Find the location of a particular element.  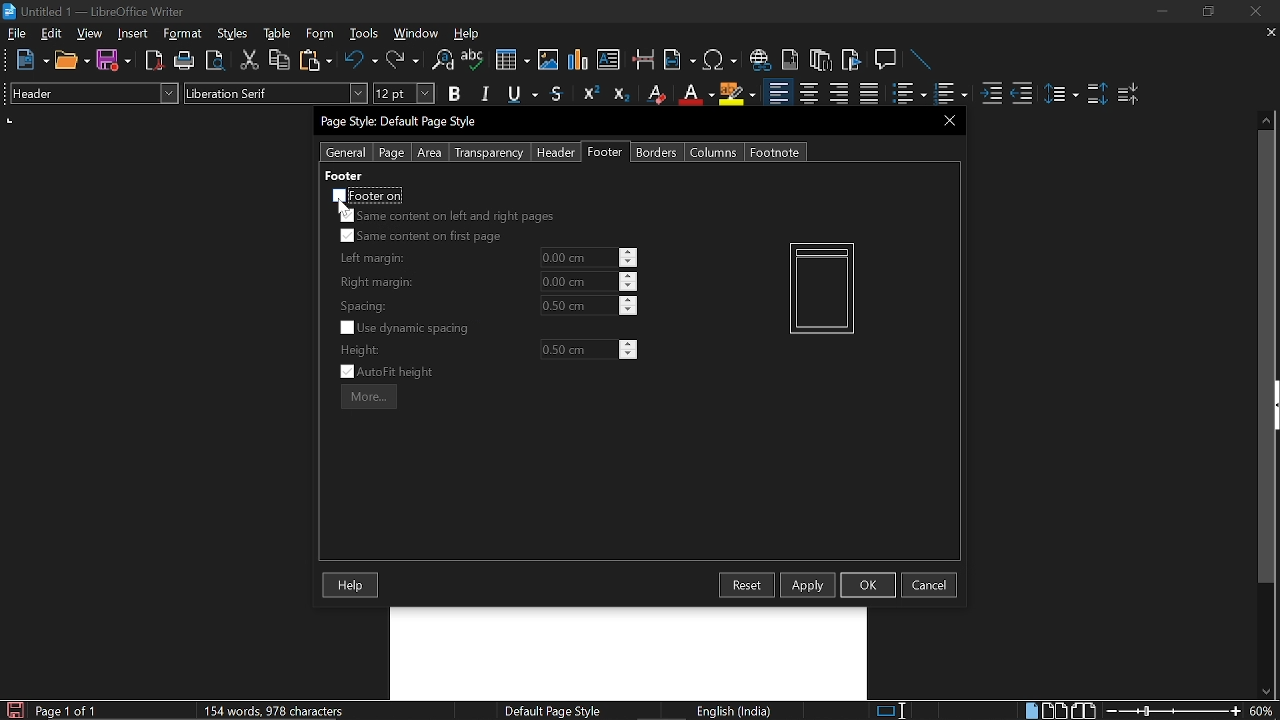

insert diagram is located at coordinates (578, 60).